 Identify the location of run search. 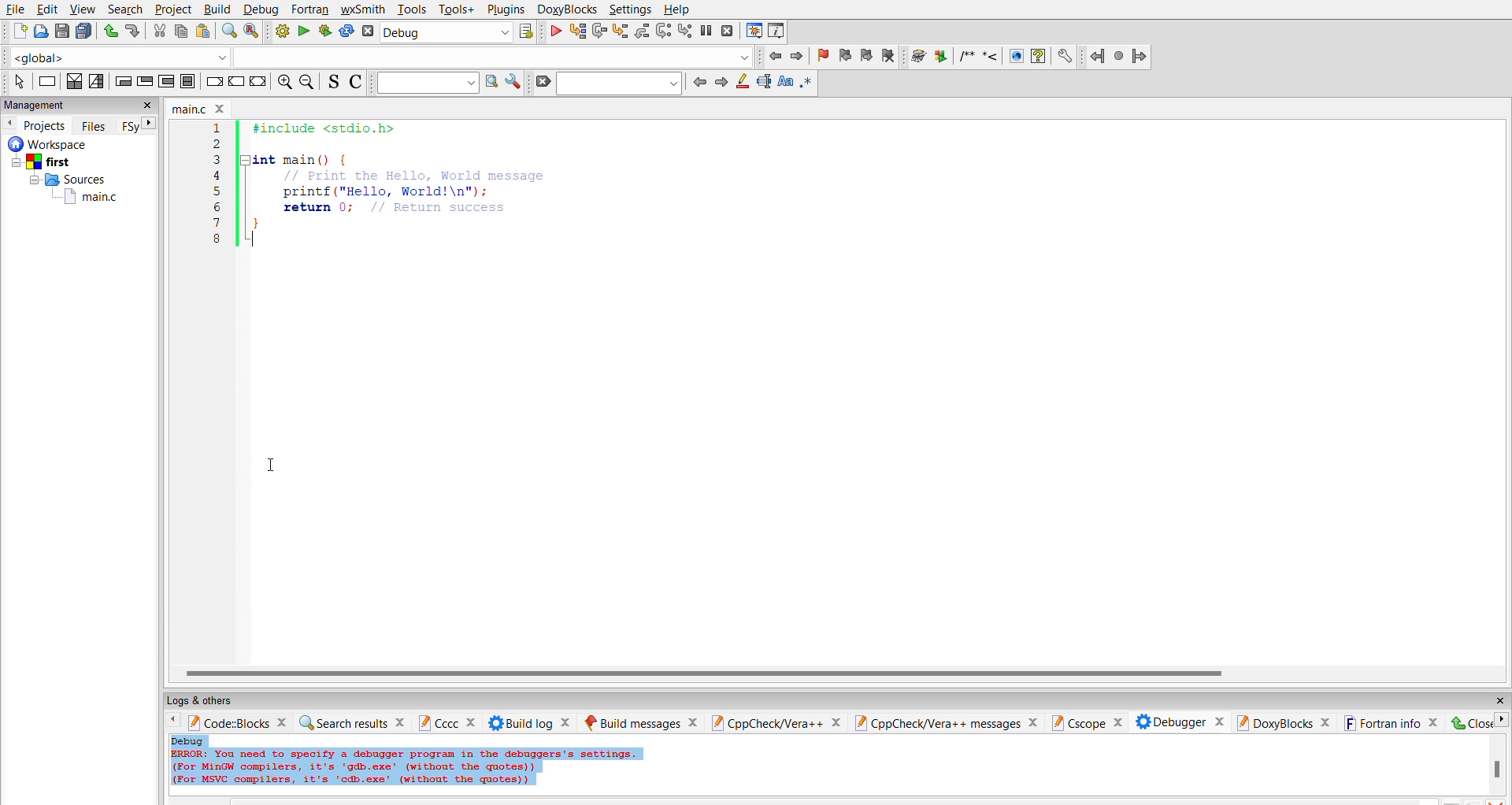
(491, 83).